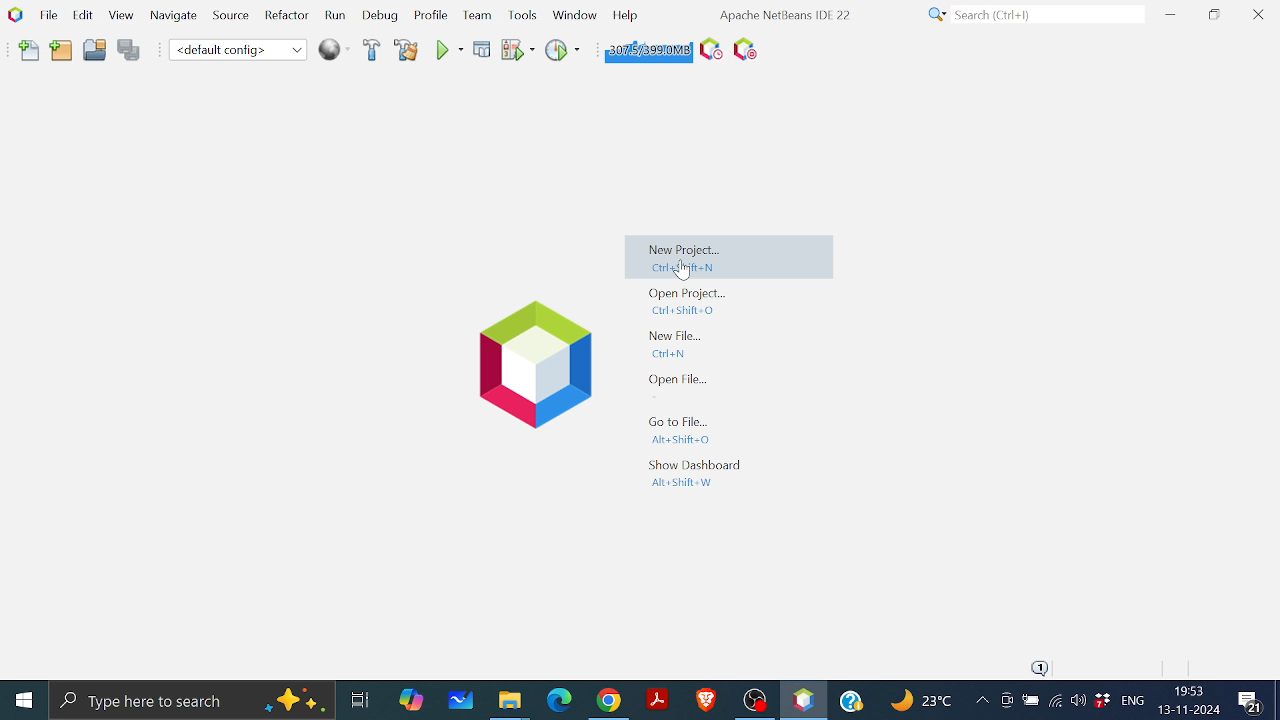 This screenshot has width=1280, height=720. What do you see at coordinates (282, 16) in the screenshot?
I see `Refractor` at bounding box center [282, 16].